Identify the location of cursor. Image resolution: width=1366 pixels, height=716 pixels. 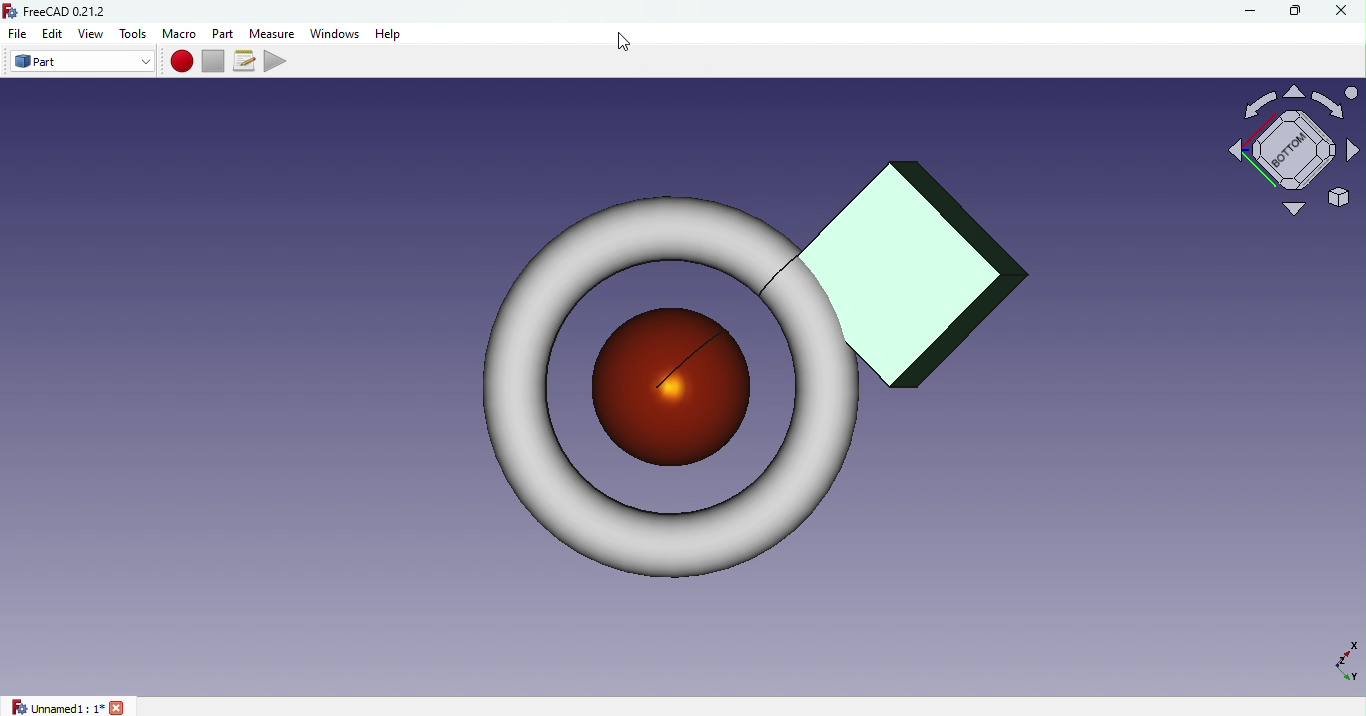
(631, 44).